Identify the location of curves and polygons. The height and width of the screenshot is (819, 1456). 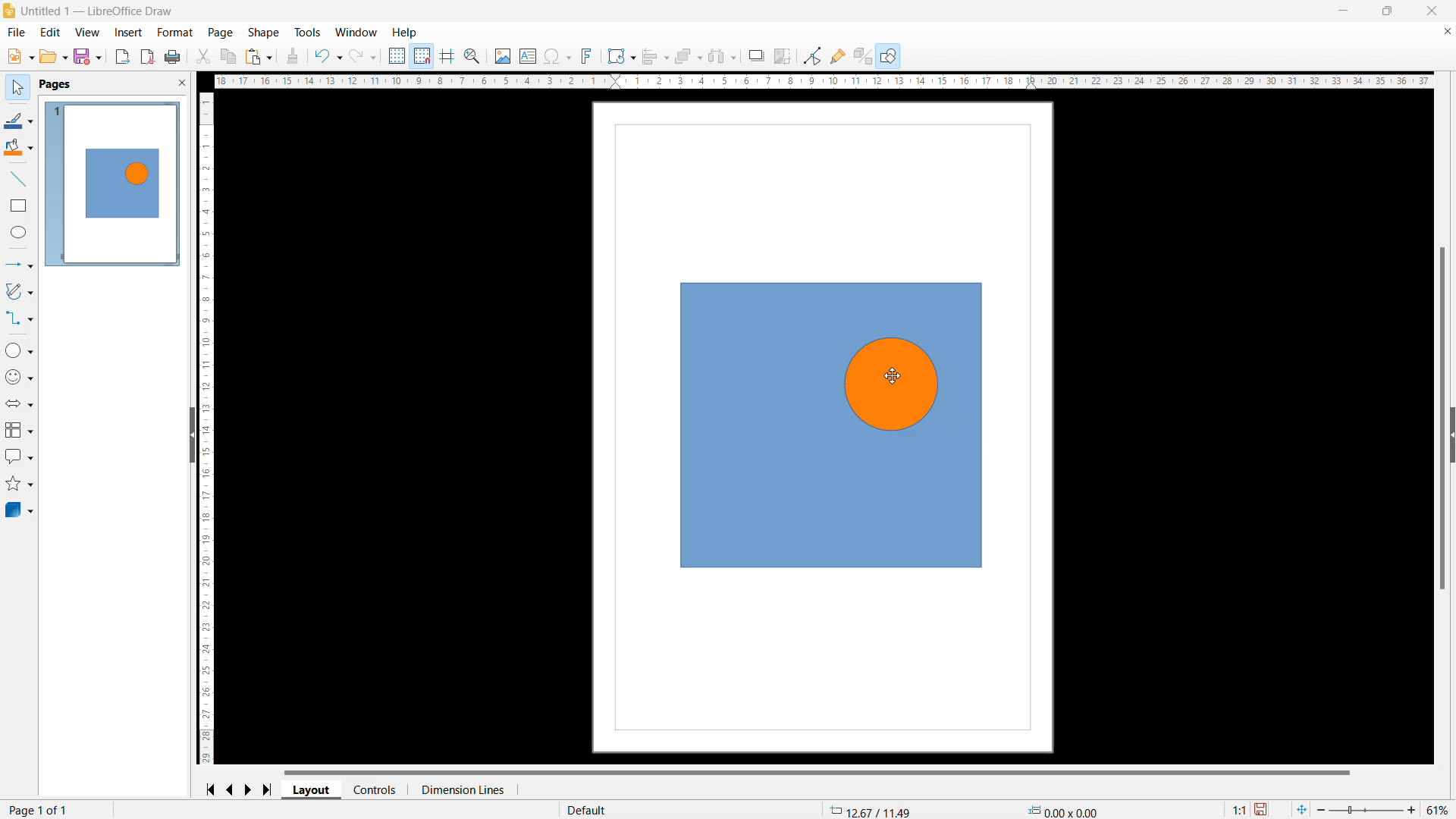
(19, 291).